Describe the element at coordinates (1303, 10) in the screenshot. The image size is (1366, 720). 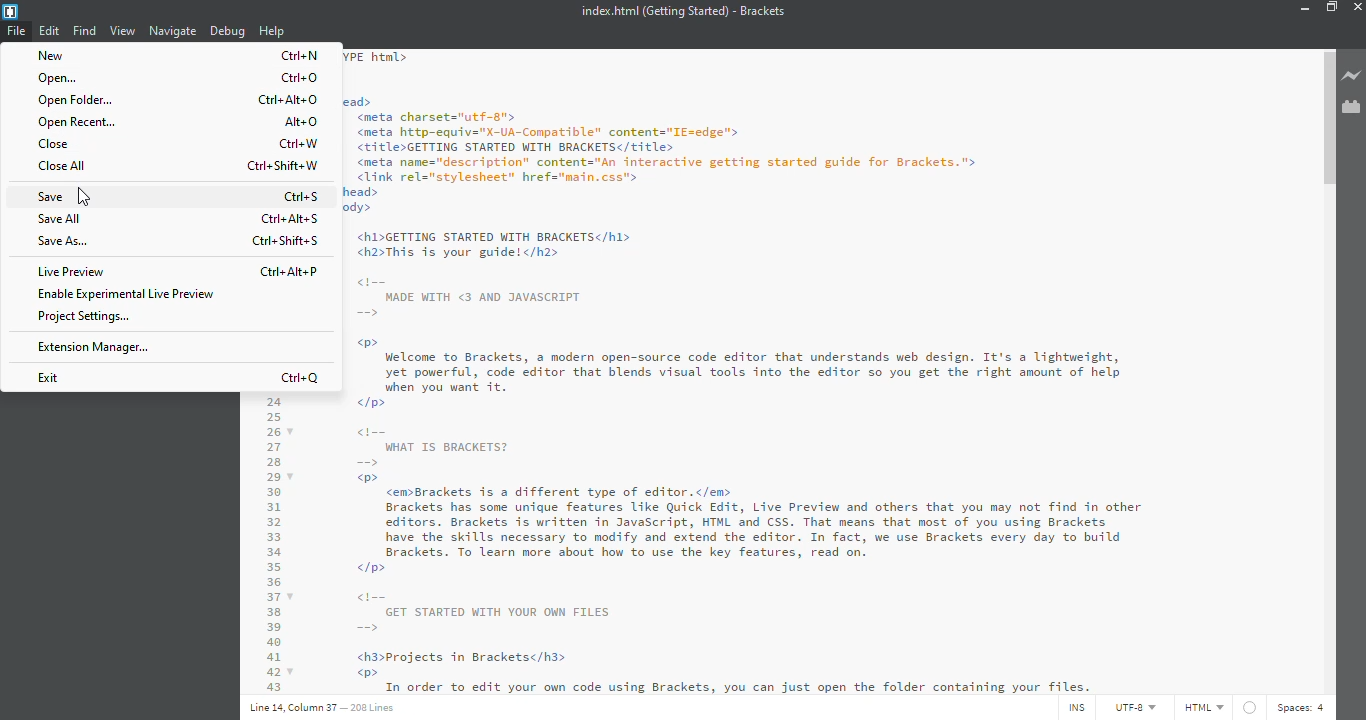
I see `minimize` at that location.